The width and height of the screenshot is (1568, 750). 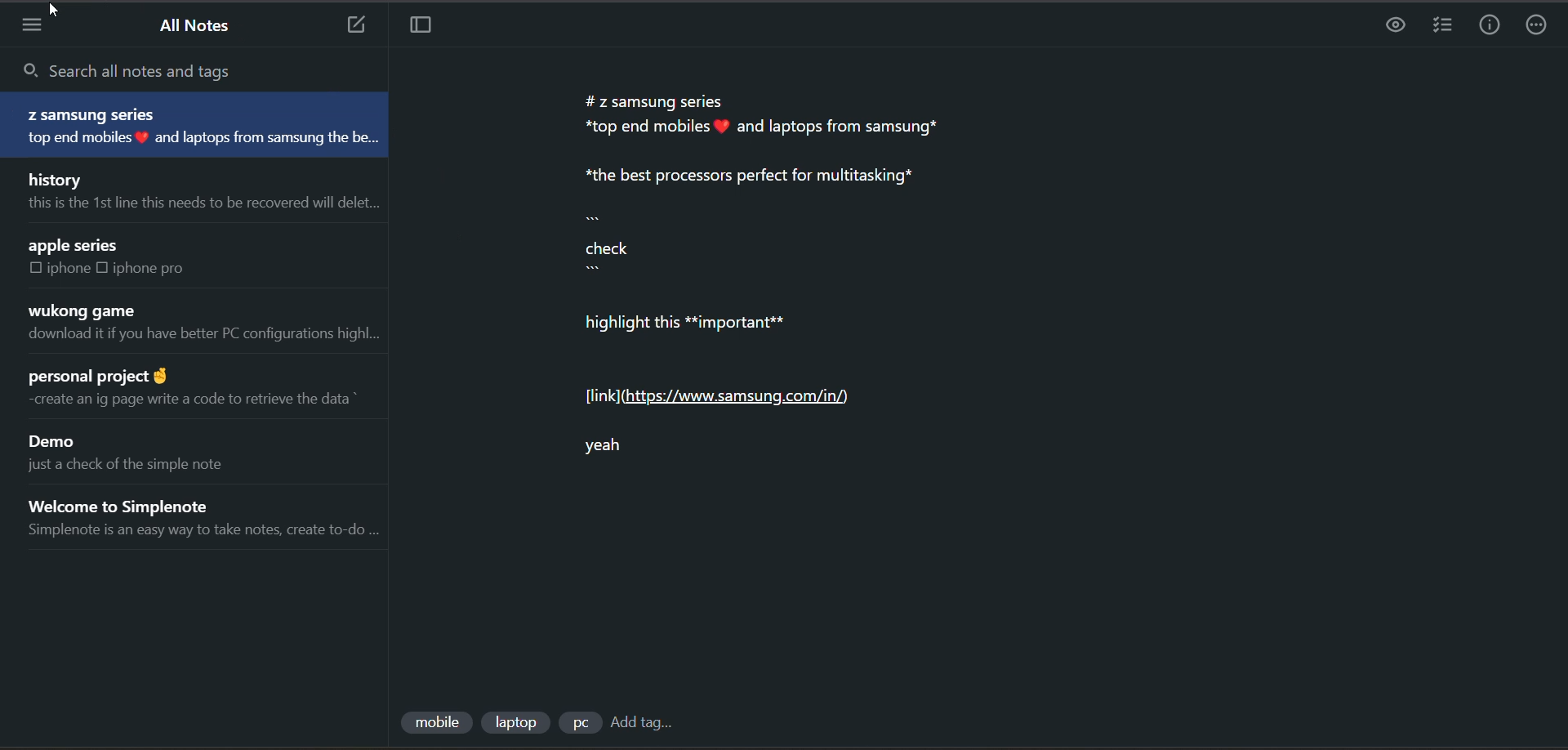 What do you see at coordinates (355, 26) in the screenshot?
I see `add new note` at bounding box center [355, 26].